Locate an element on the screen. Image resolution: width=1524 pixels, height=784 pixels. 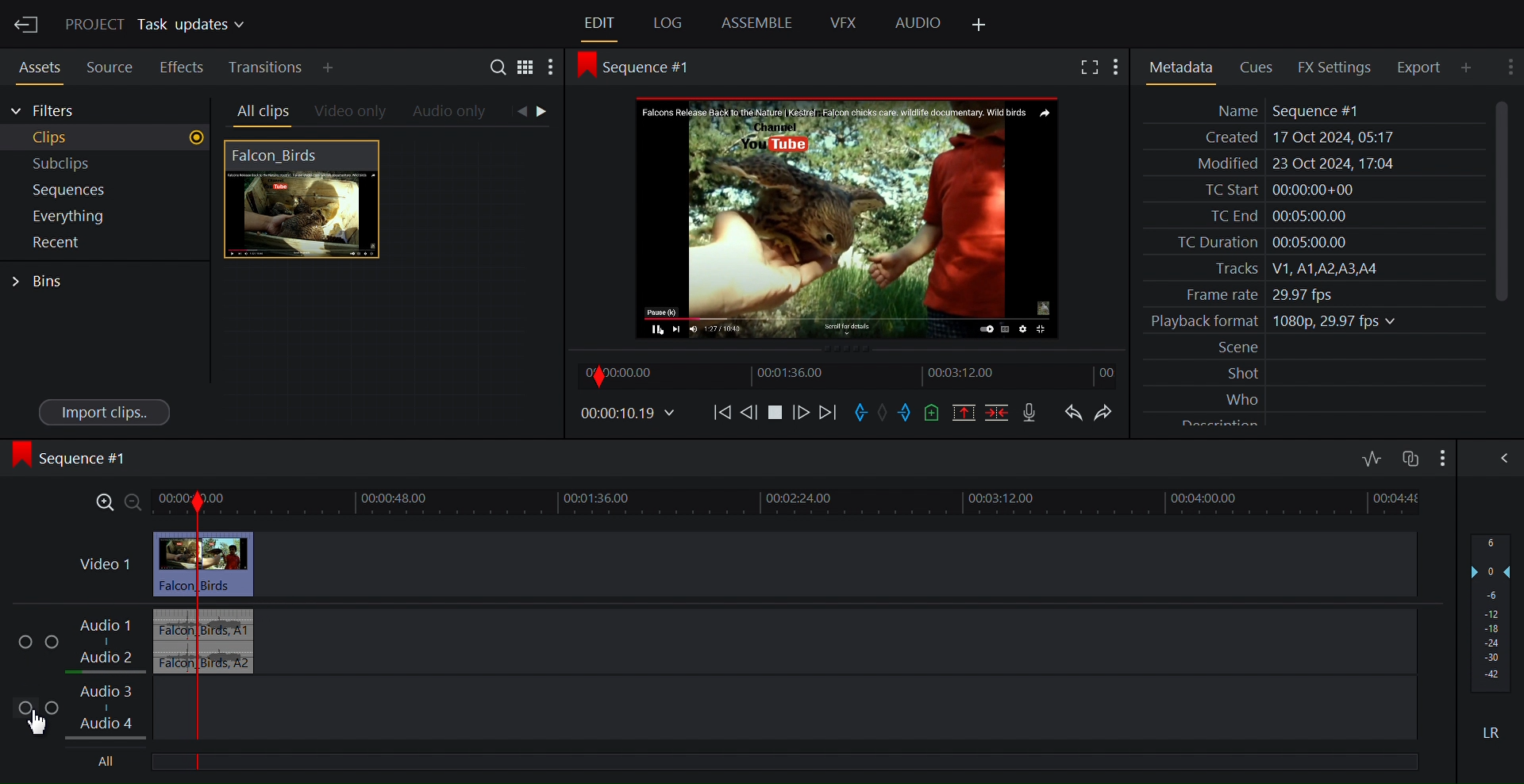
Sequence #1 is located at coordinates (645, 67).